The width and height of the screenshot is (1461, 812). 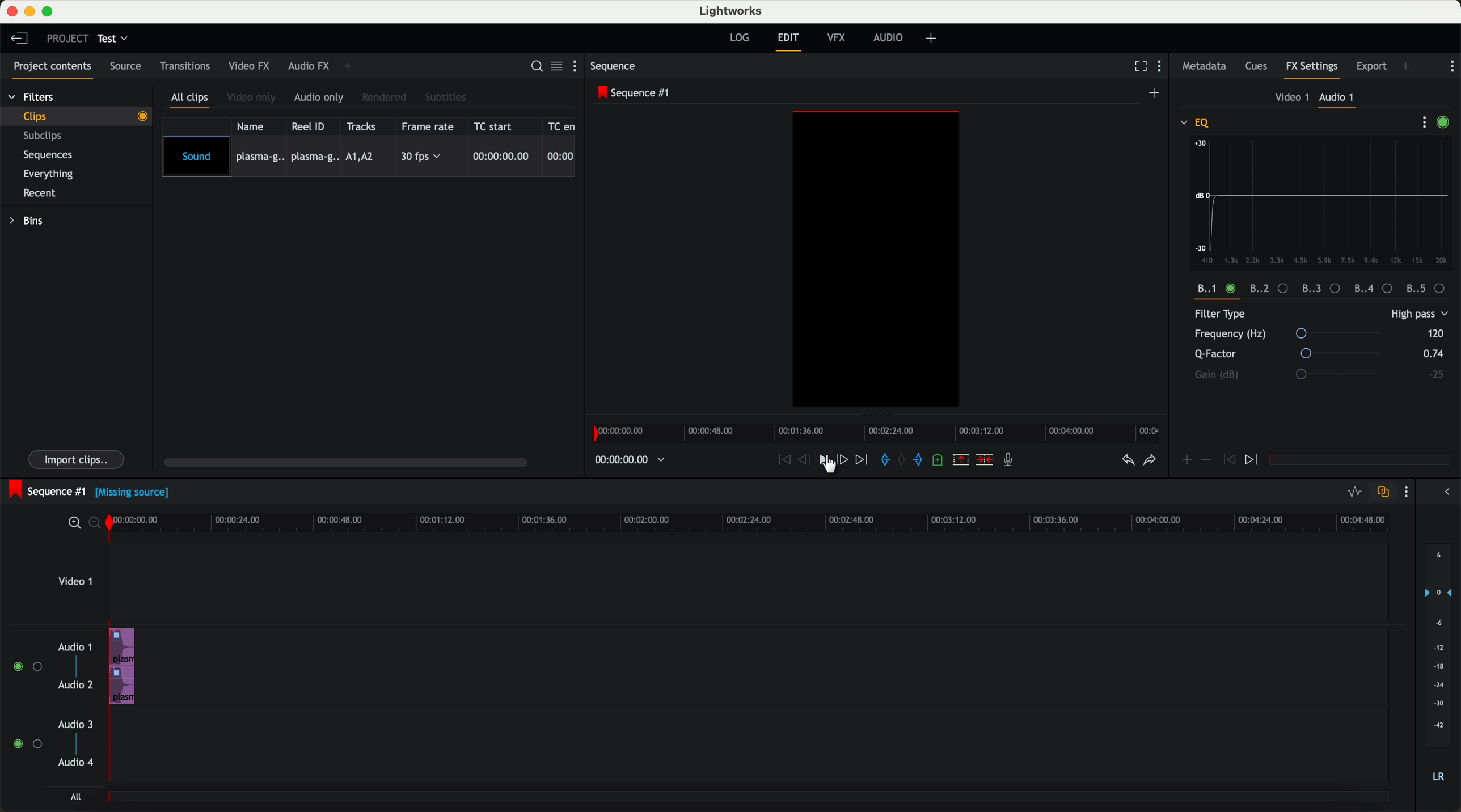 I want to click on clear all marks, so click(x=903, y=461).